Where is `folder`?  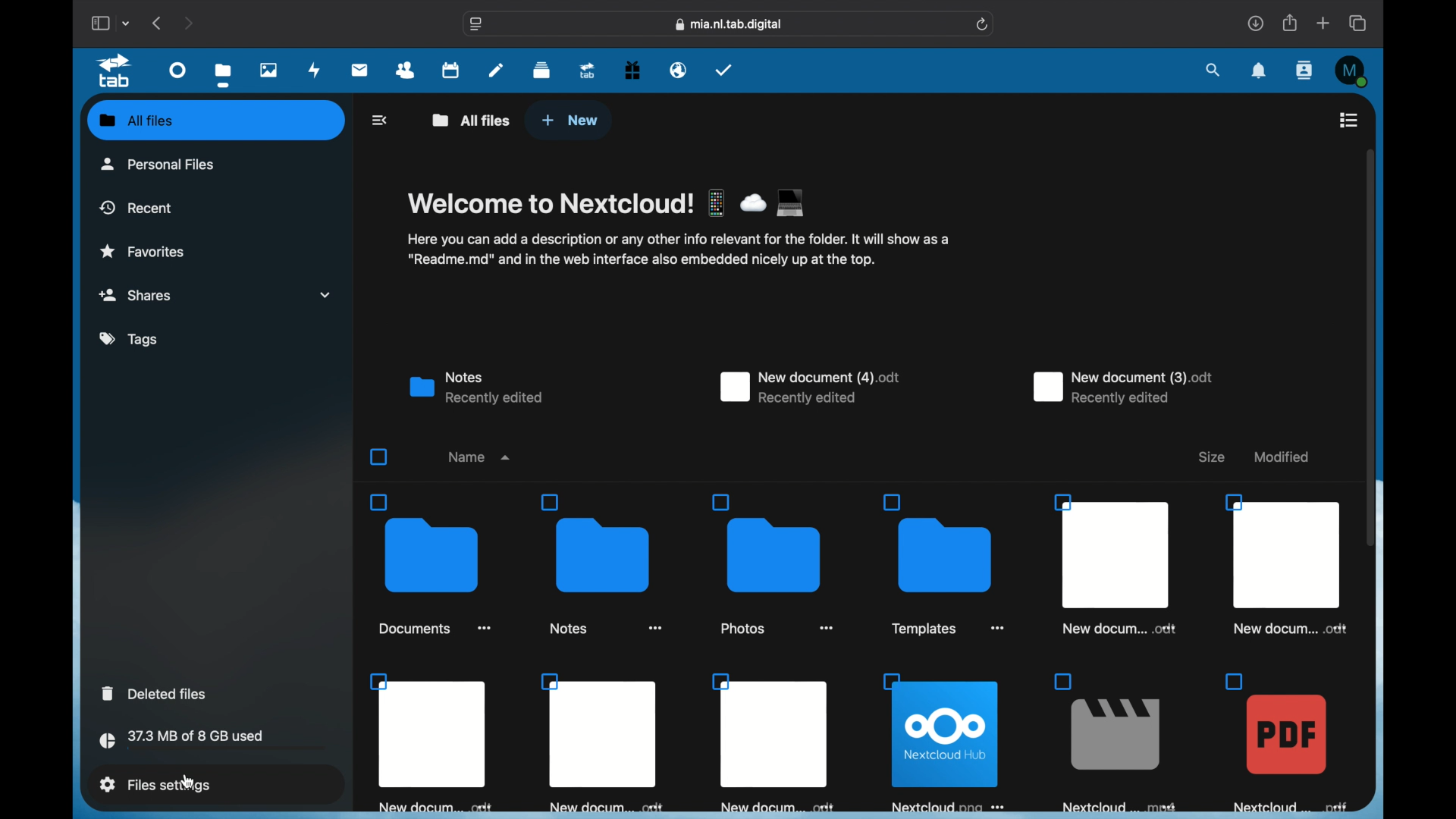
folder is located at coordinates (773, 564).